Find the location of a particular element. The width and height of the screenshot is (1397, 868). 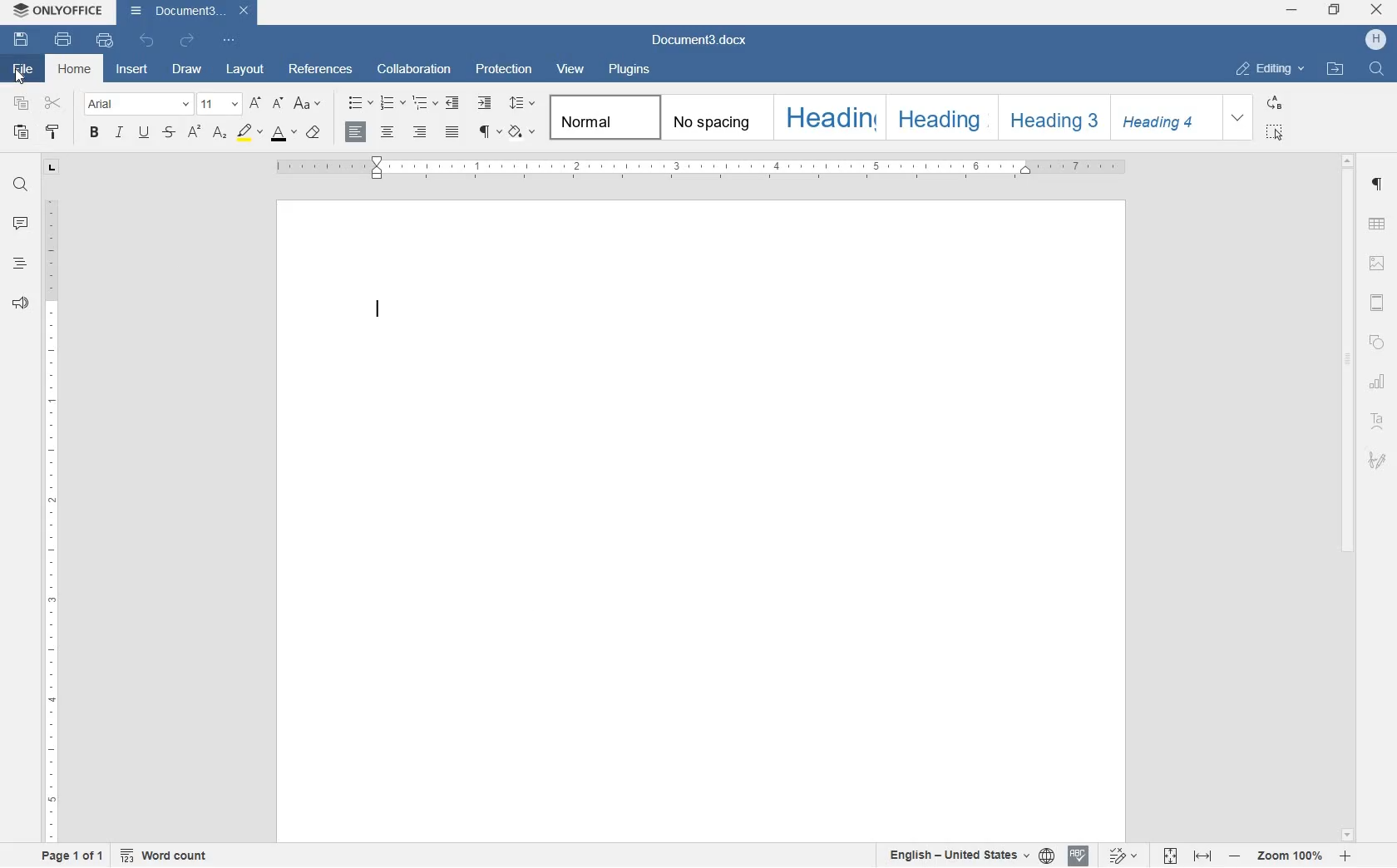

fit to page is located at coordinates (1169, 854).